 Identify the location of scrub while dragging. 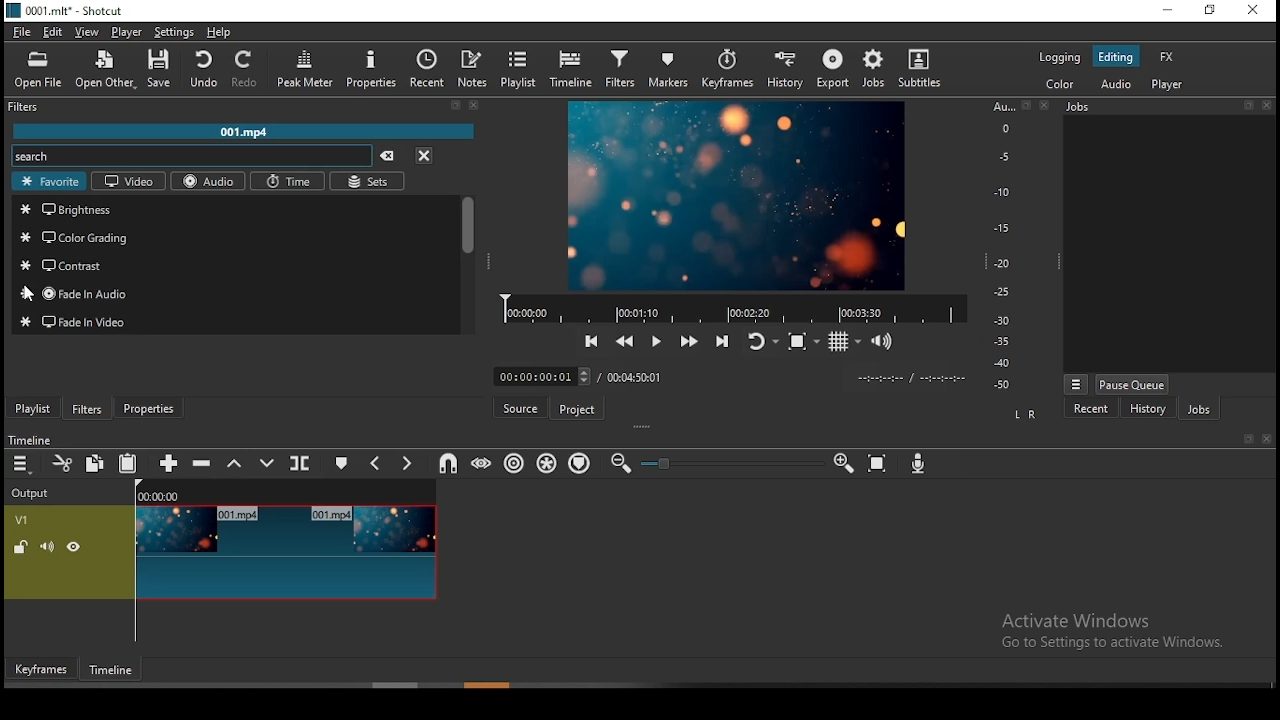
(482, 464).